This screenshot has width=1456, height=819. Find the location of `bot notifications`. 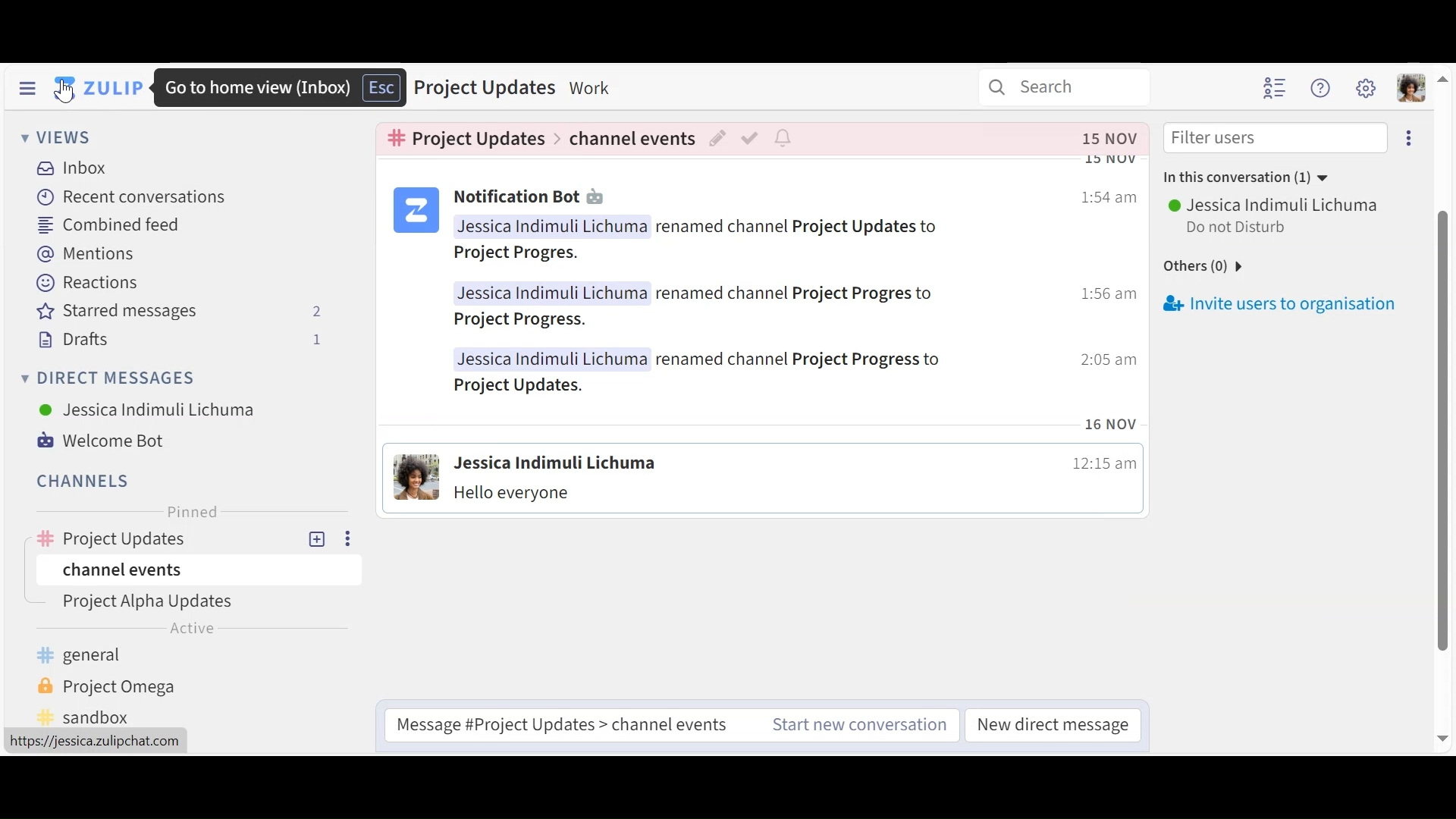

bot notifications is located at coordinates (522, 323).